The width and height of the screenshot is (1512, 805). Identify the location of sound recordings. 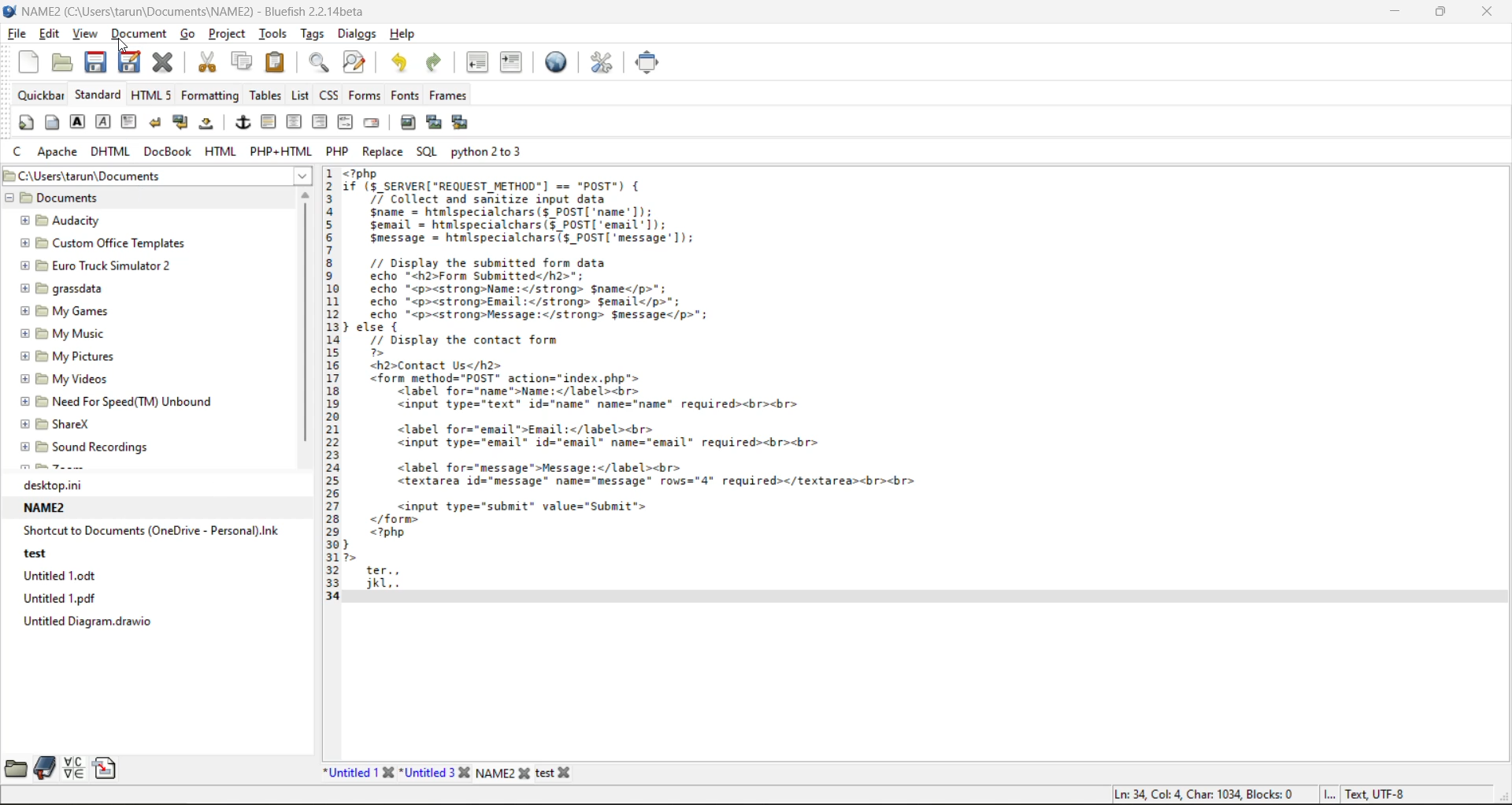
(102, 448).